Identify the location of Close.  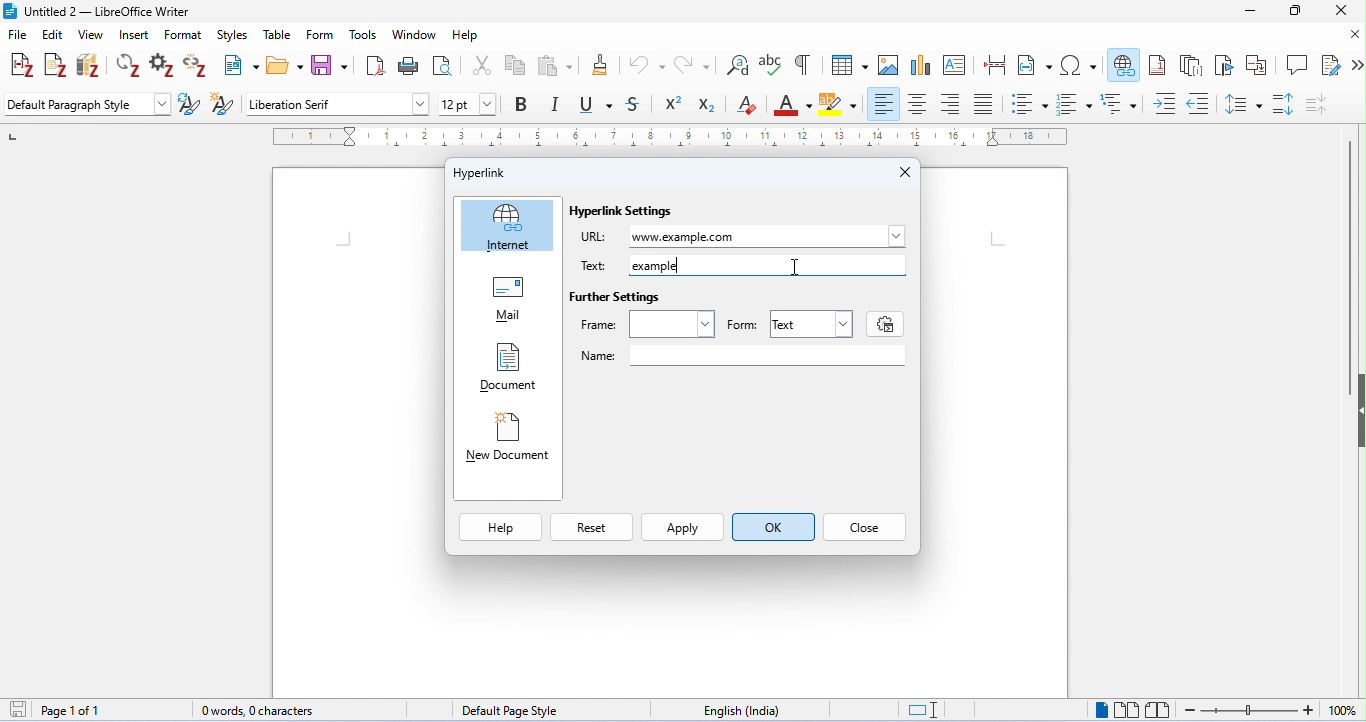
(871, 526).